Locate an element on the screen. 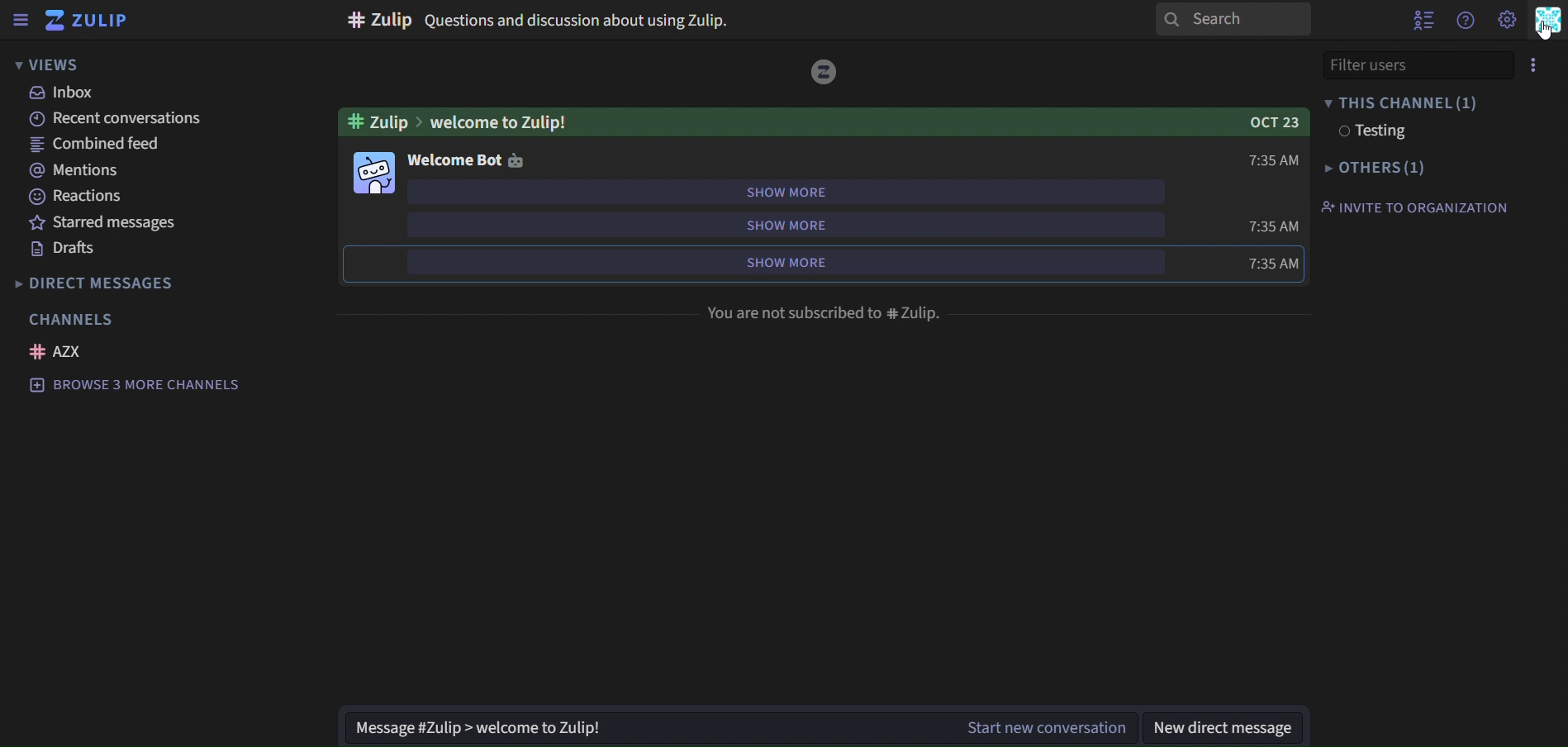 The image size is (1568, 747). new direct message is located at coordinates (1224, 727).